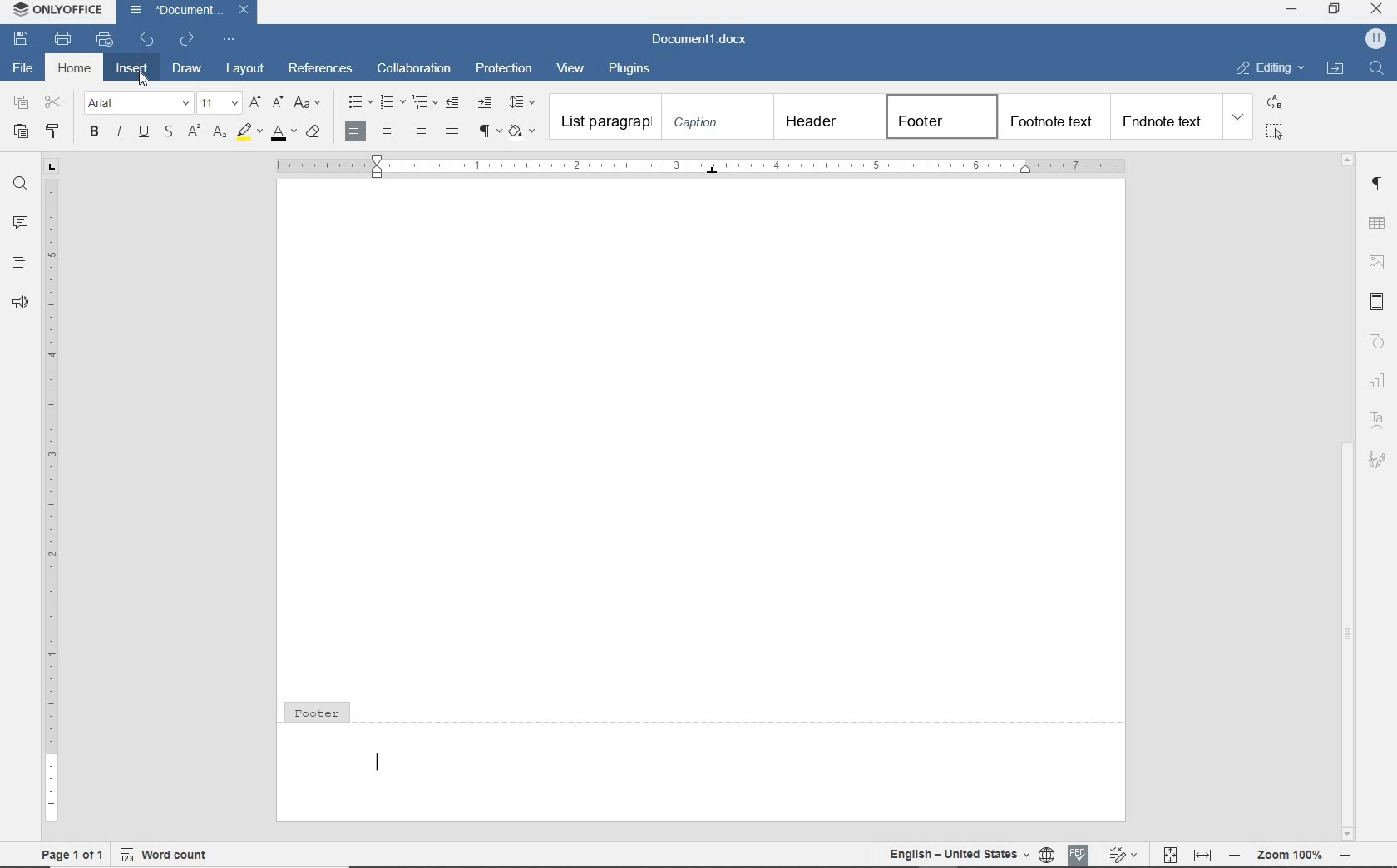  What do you see at coordinates (393, 104) in the screenshot?
I see `numbering` at bounding box center [393, 104].